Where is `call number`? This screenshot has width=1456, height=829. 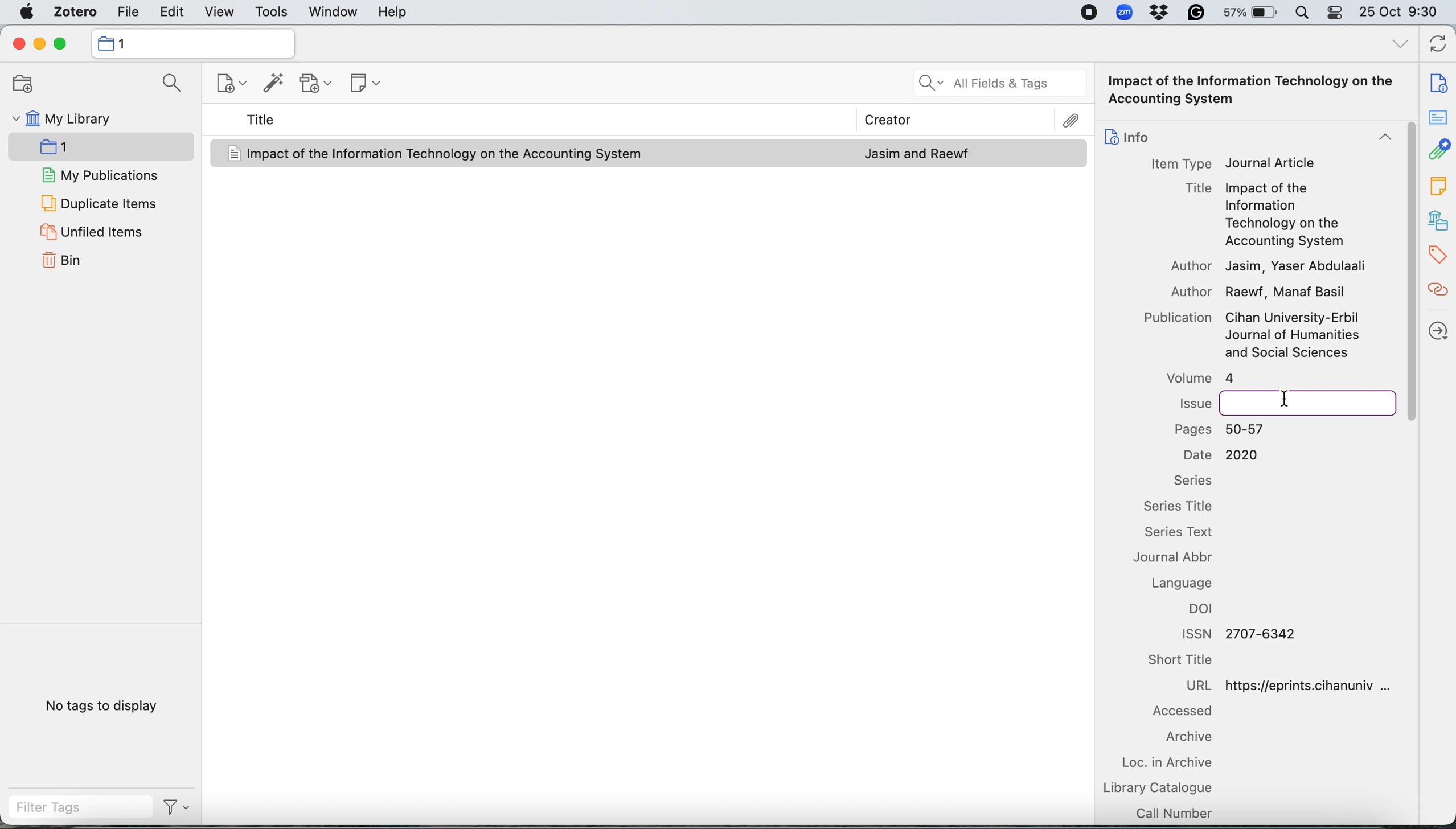
call number is located at coordinates (1174, 812).